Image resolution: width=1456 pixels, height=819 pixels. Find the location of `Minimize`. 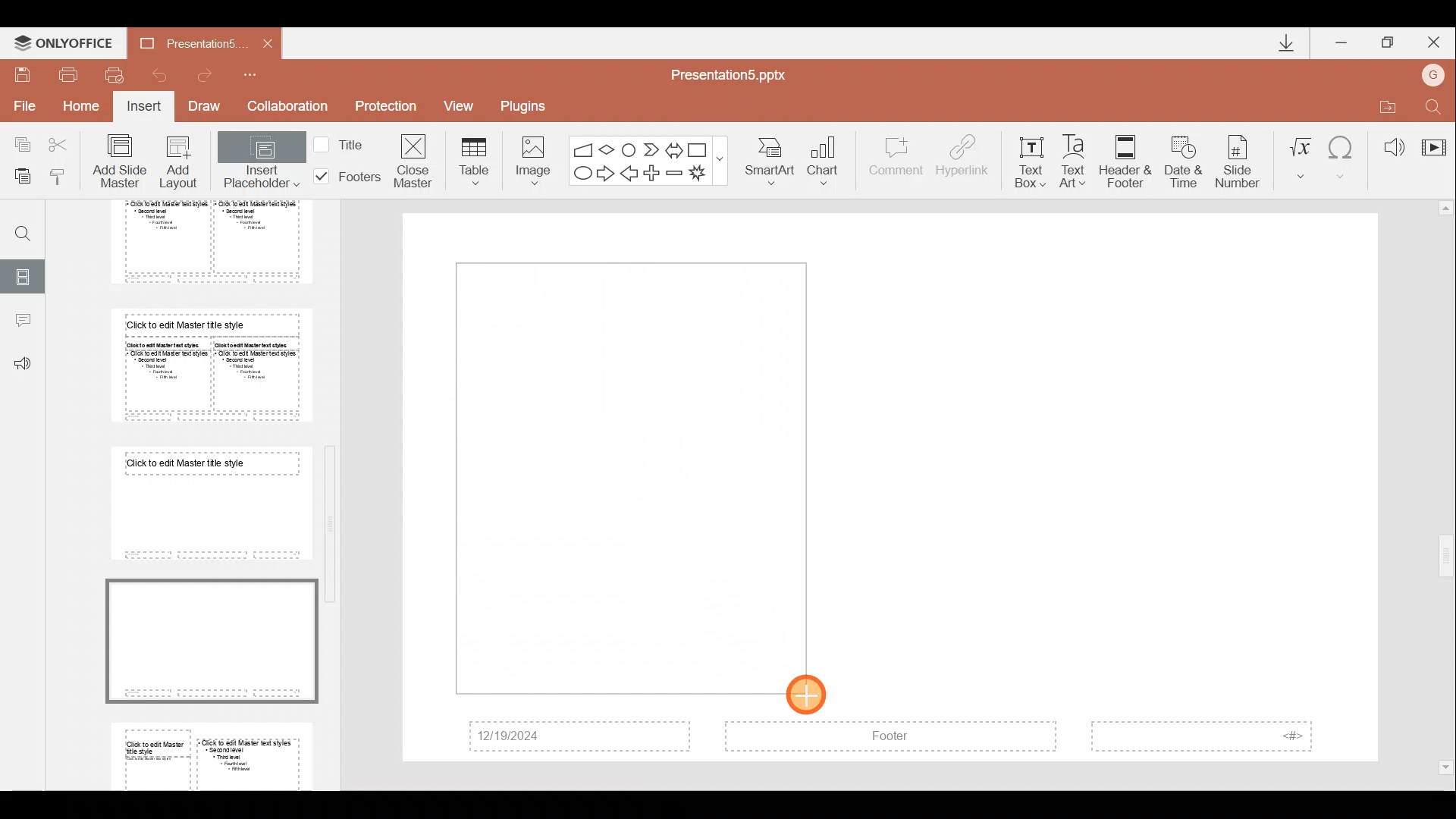

Minimize is located at coordinates (1342, 39).